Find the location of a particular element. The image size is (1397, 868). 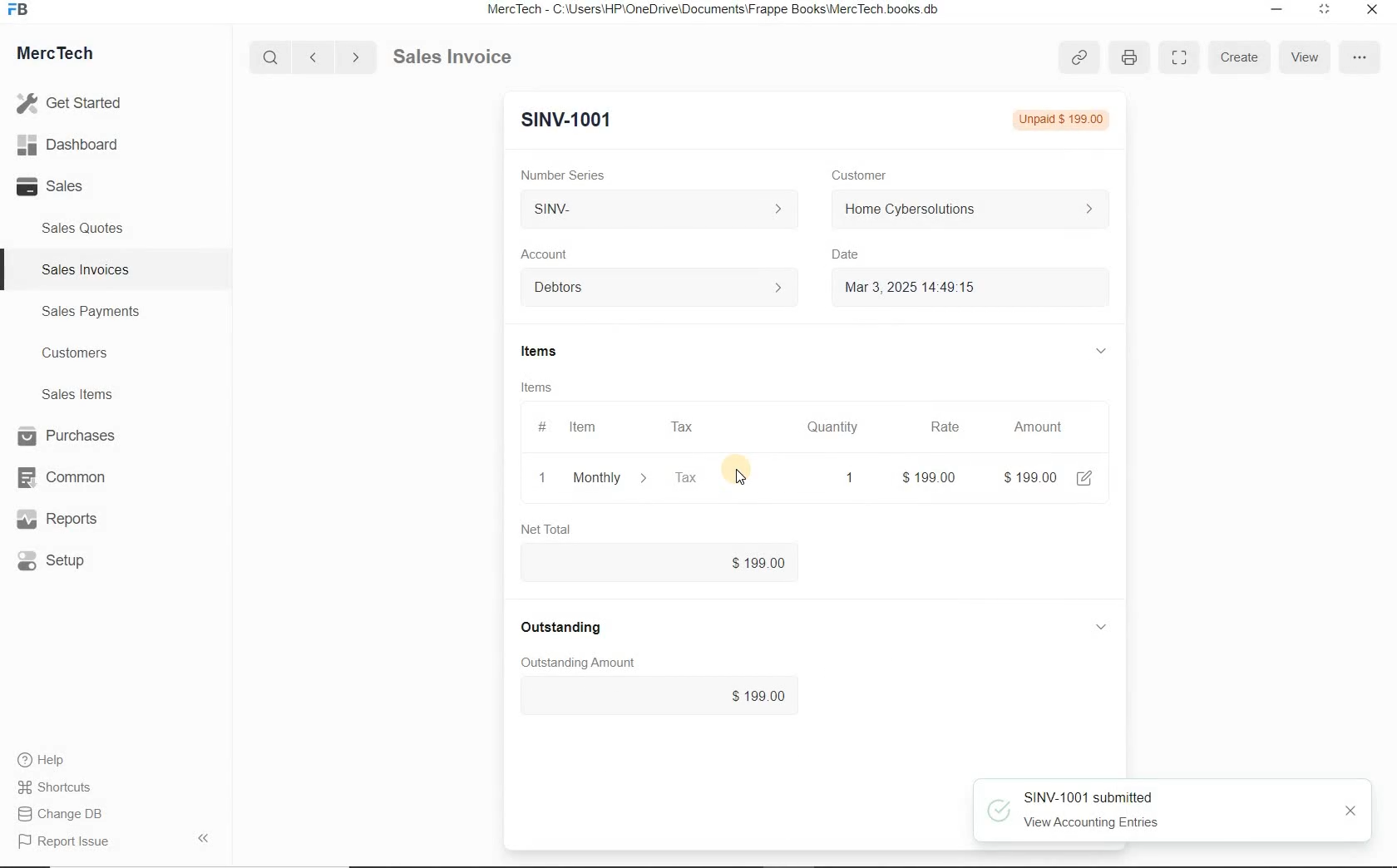

Report Issue is located at coordinates (67, 842).